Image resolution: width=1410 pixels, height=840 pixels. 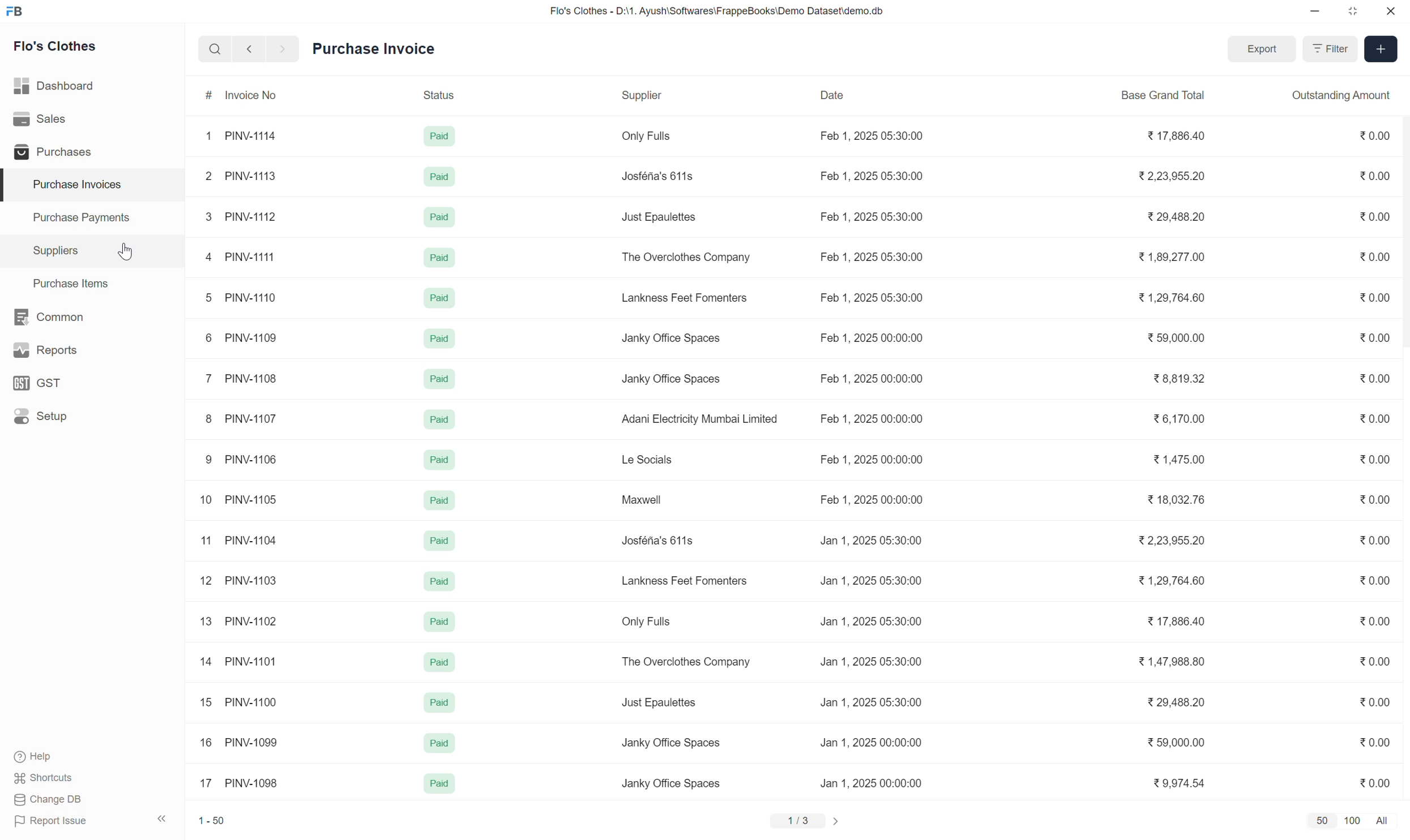 What do you see at coordinates (439, 702) in the screenshot?
I see `Paid` at bounding box center [439, 702].